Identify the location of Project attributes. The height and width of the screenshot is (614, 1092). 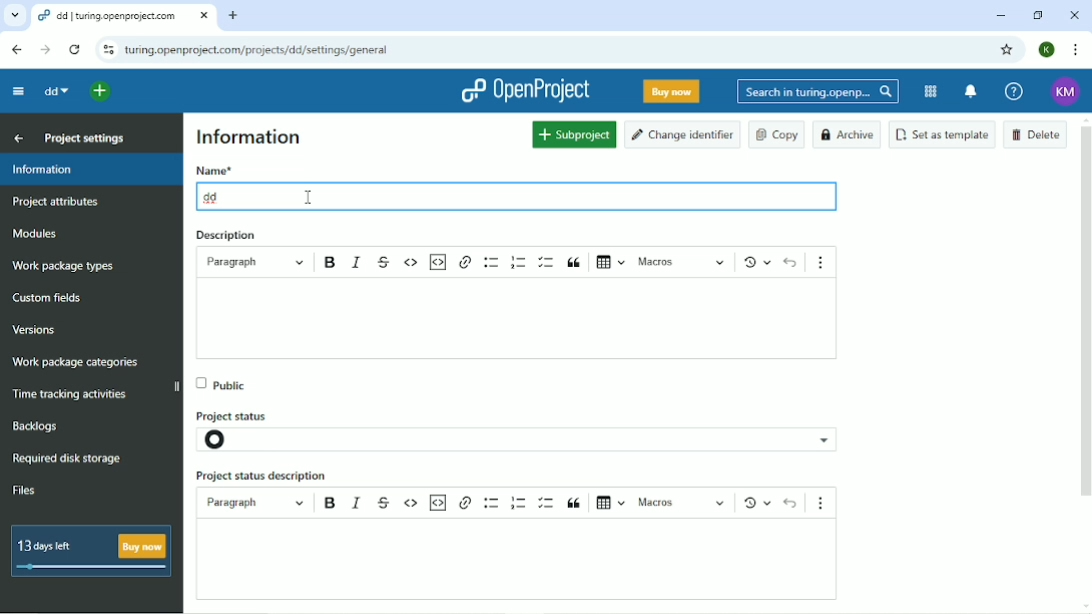
(57, 204).